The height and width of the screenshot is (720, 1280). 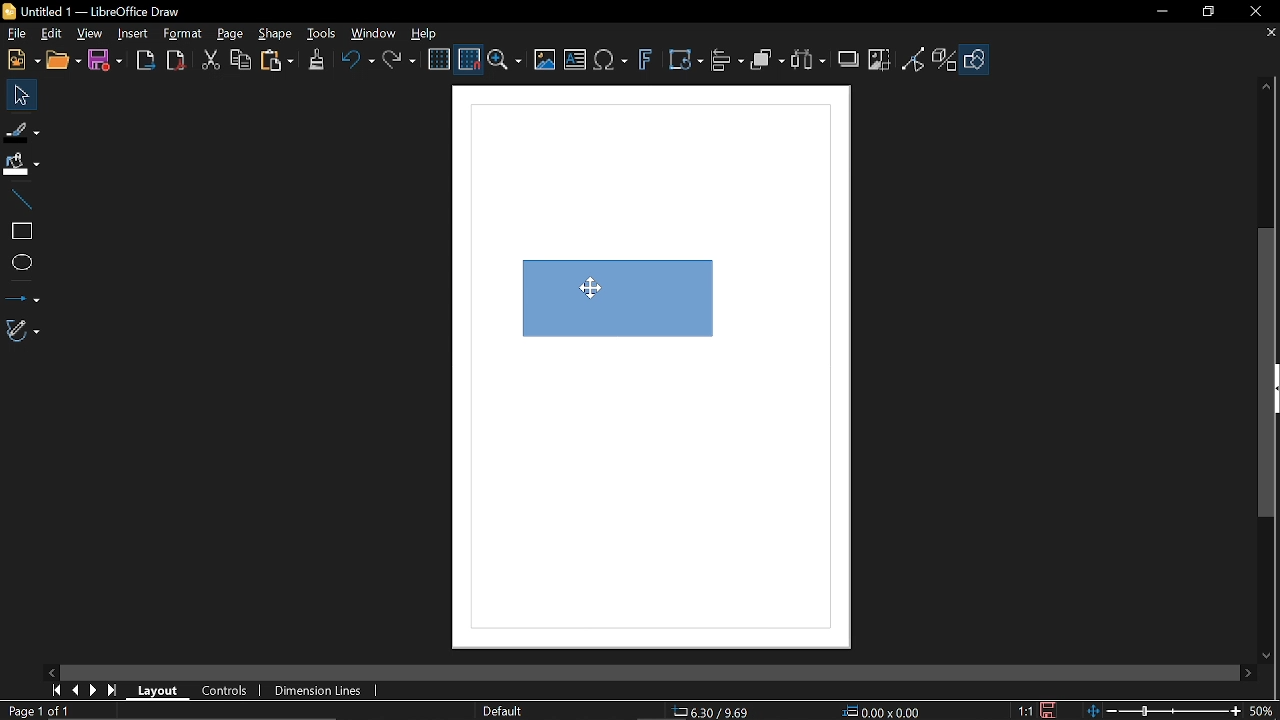 What do you see at coordinates (505, 61) in the screenshot?
I see `Zoom` at bounding box center [505, 61].